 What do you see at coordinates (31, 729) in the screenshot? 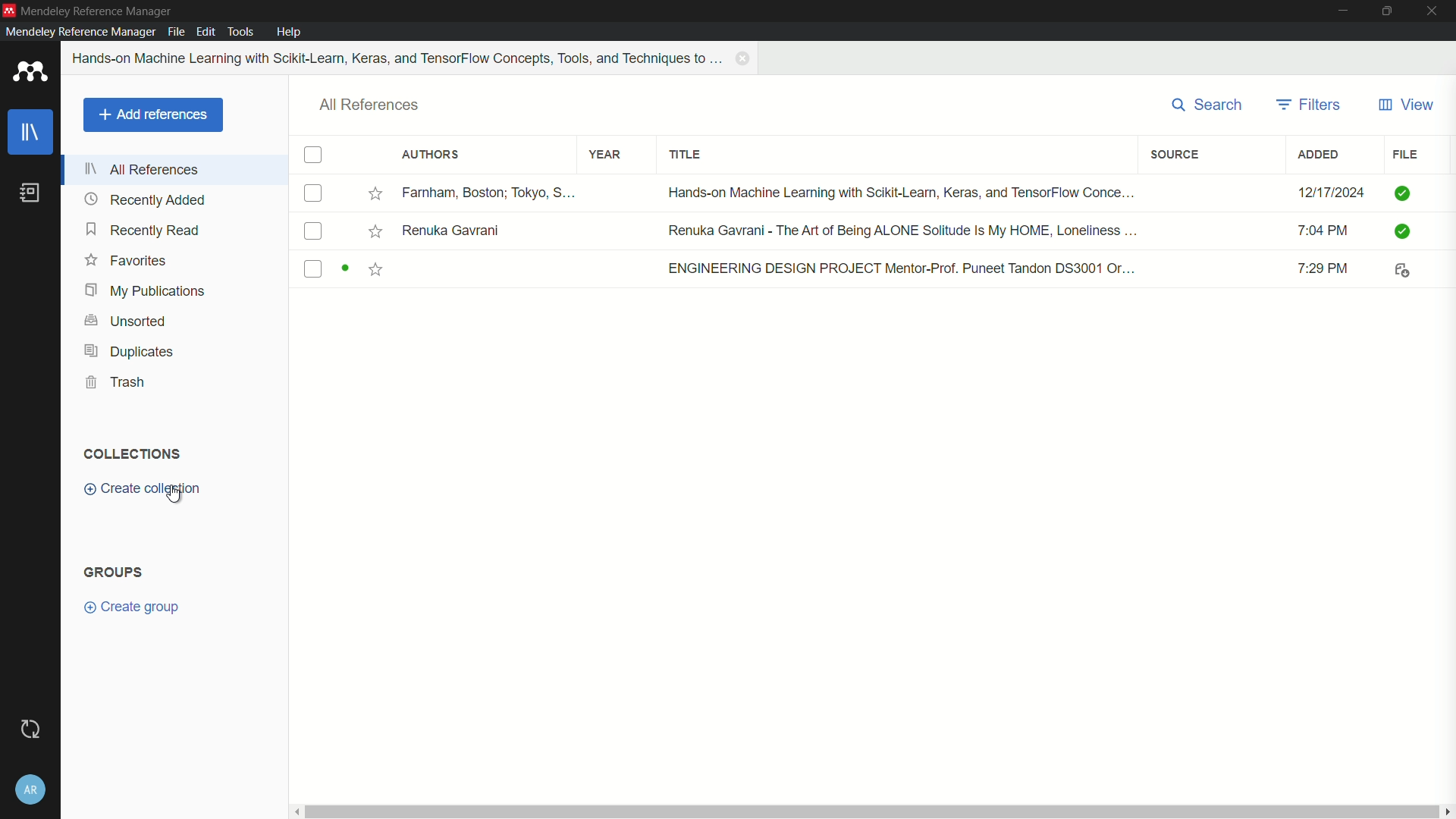
I see `sync` at bounding box center [31, 729].